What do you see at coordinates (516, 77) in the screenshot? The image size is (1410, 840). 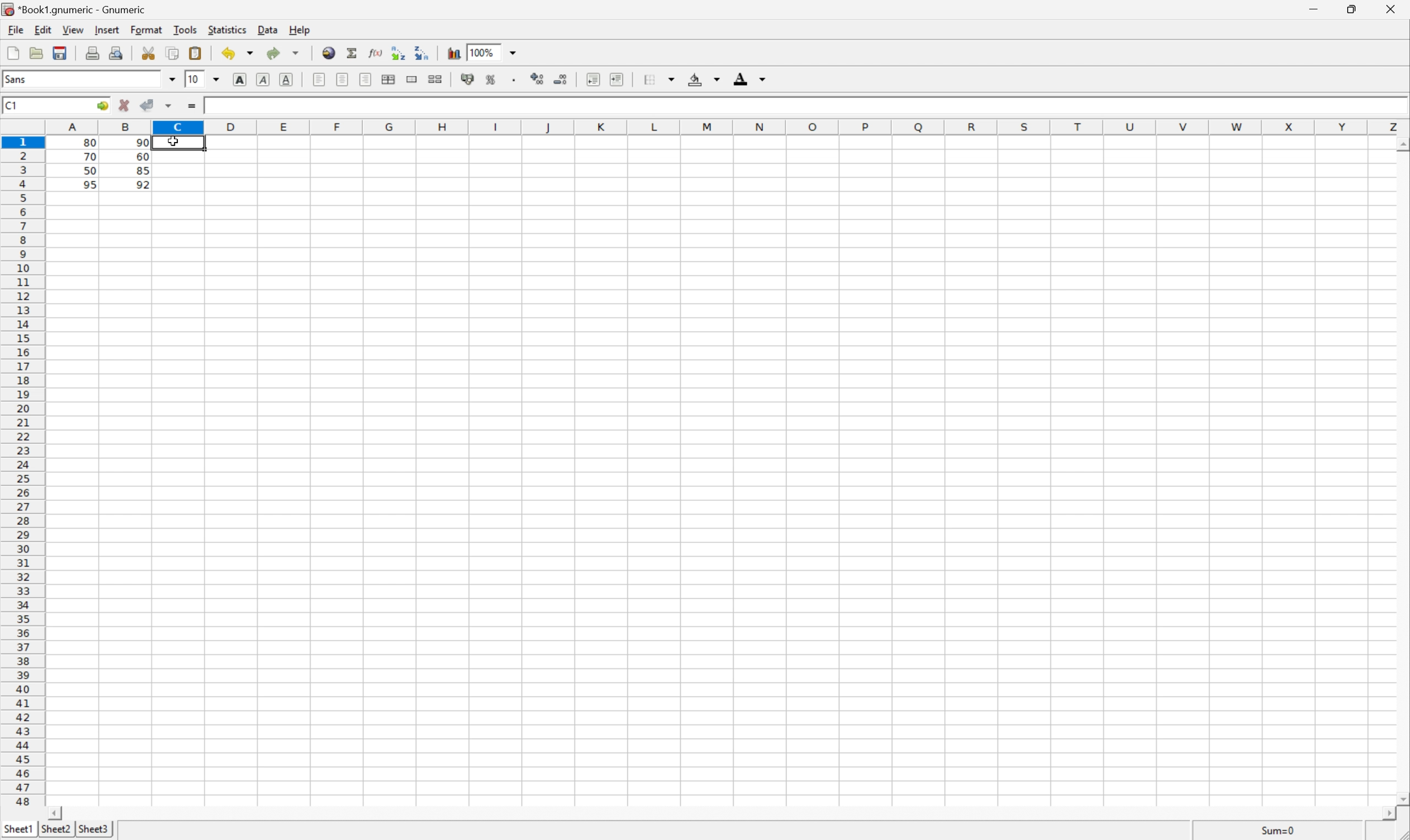 I see `Set the format of the selected cells to include a thousands separator` at bounding box center [516, 77].